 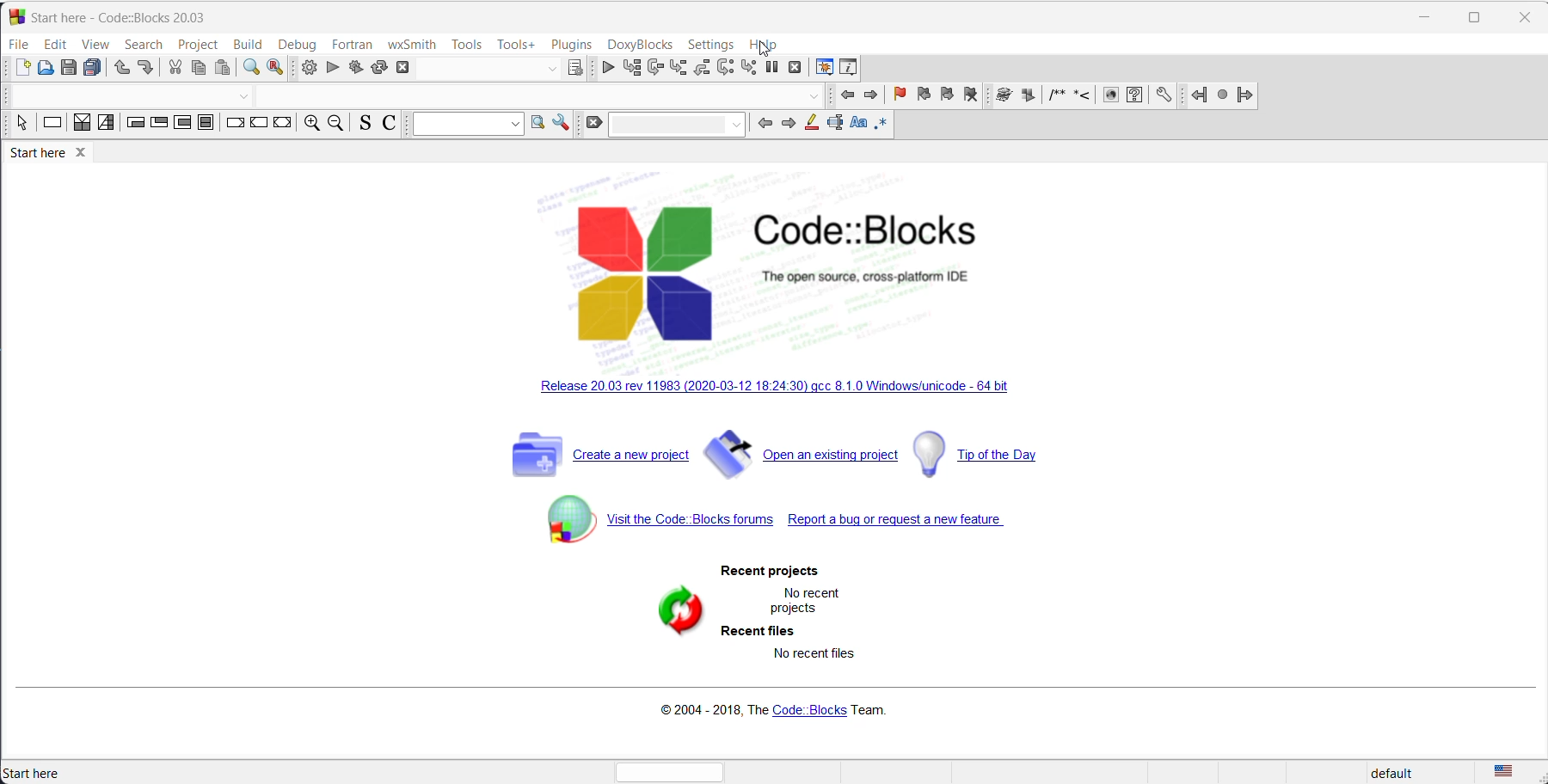 I want to click on start here, so click(x=55, y=156).